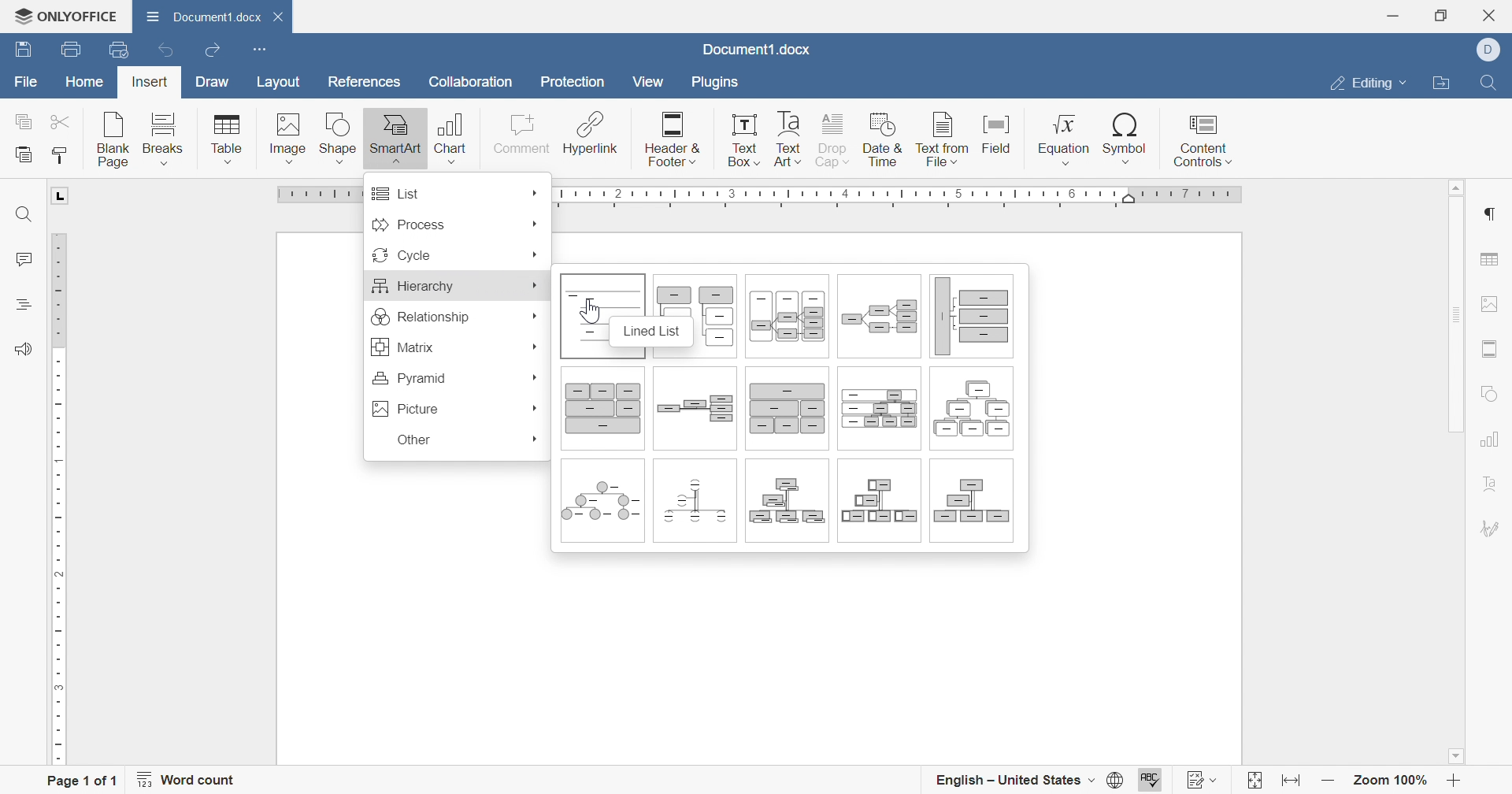 The height and width of the screenshot is (794, 1512). I want to click on Open file location, so click(1439, 83).